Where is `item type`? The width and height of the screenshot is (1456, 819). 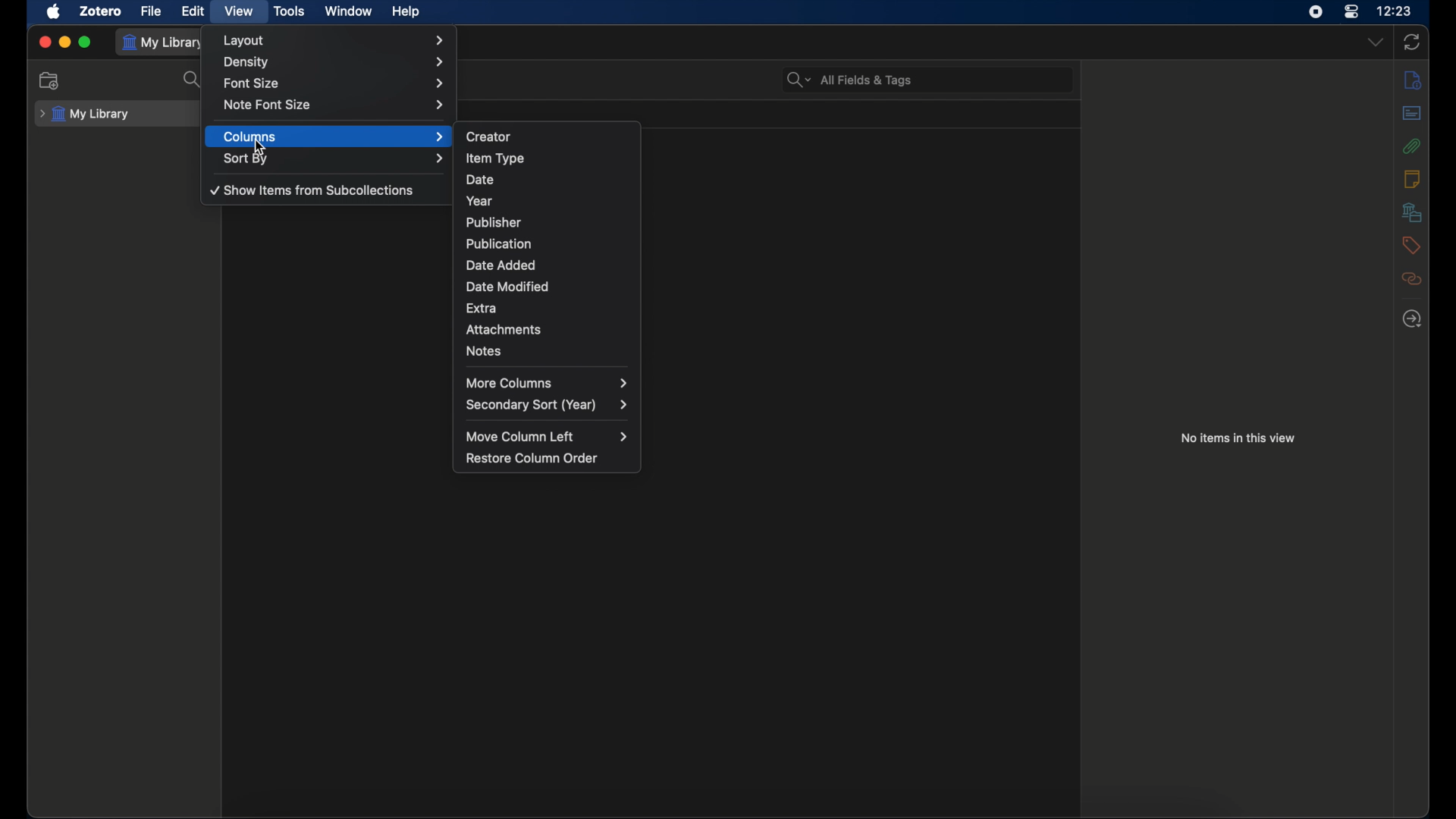
item type is located at coordinates (496, 159).